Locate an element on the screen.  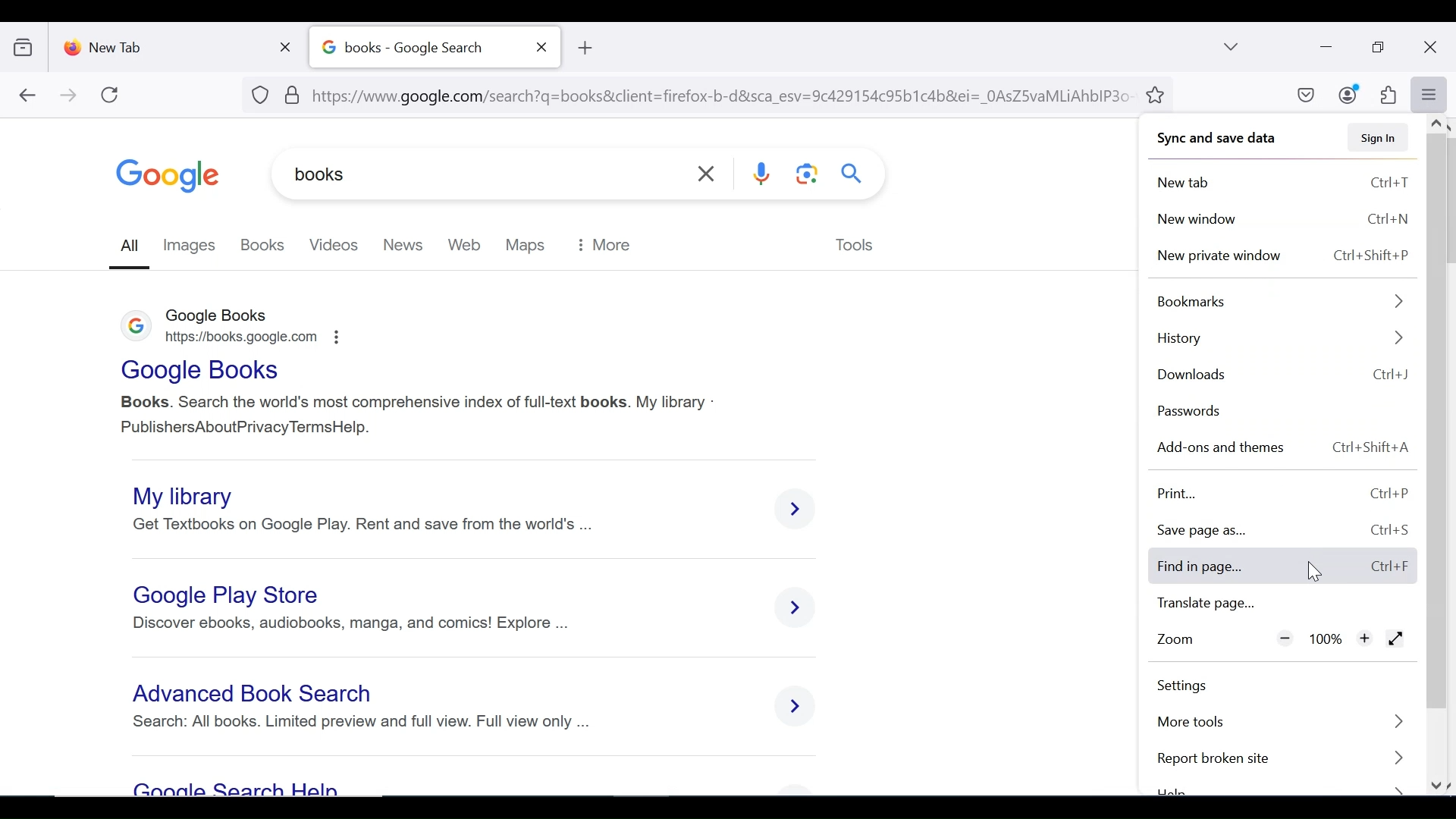
search is located at coordinates (853, 172).